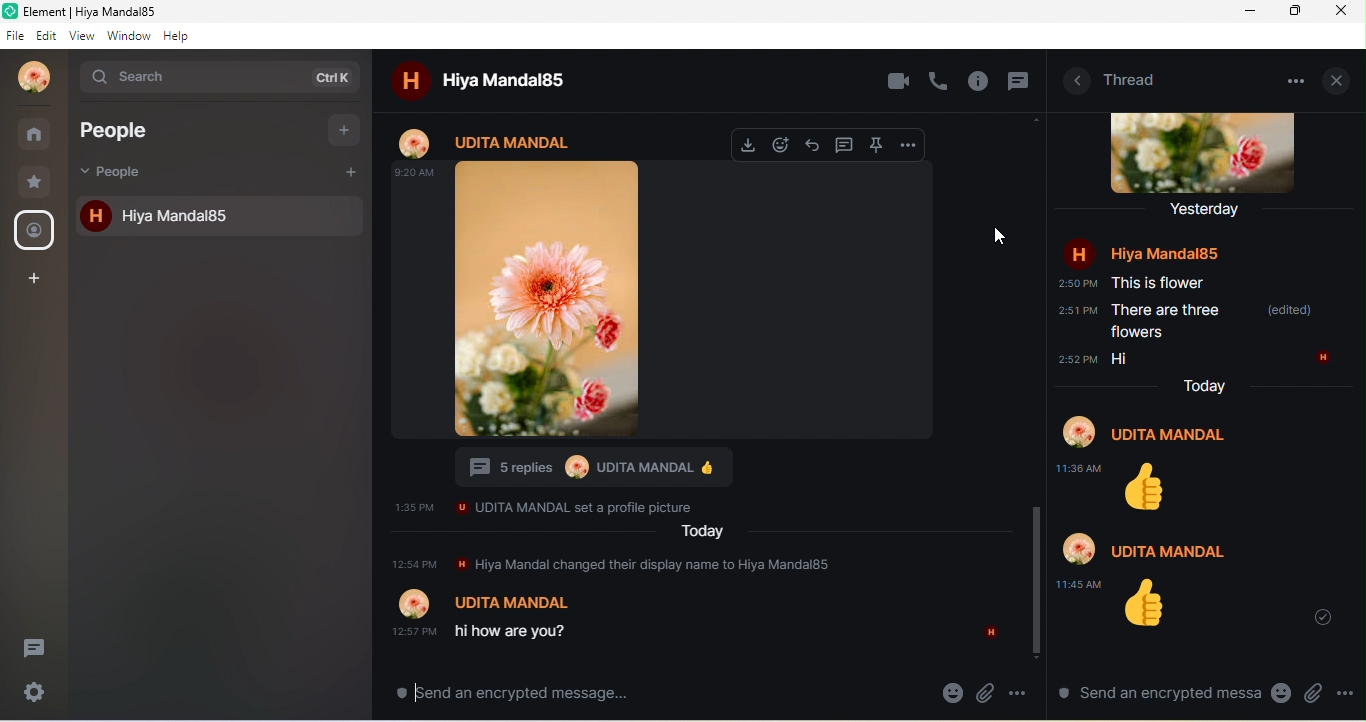  I want to click on profile photo, so click(415, 141).